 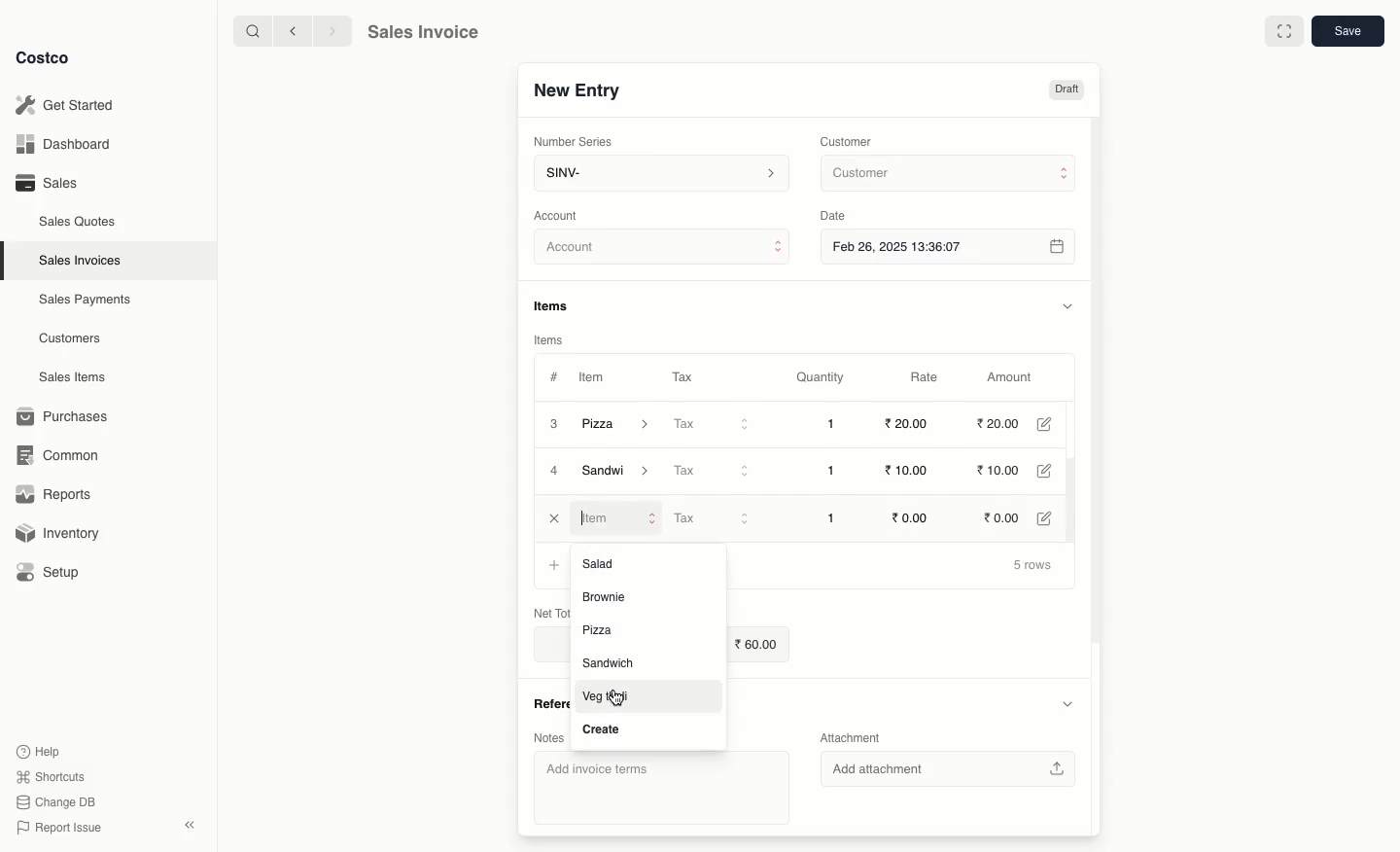 What do you see at coordinates (950, 246) in the screenshot?
I see `Feb 26, 2025 13:36:07` at bounding box center [950, 246].